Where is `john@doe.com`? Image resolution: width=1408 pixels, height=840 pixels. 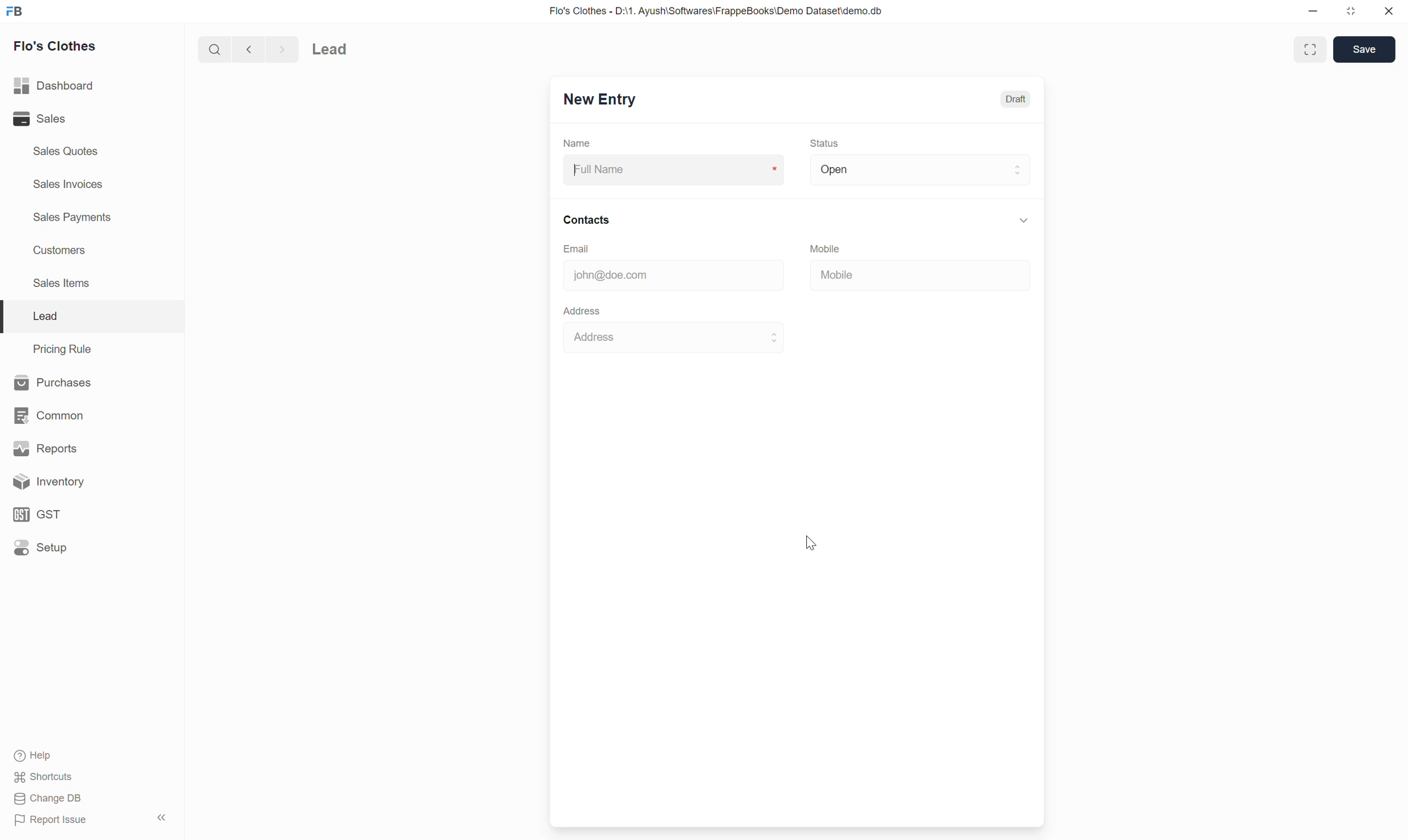 john@doe.com is located at coordinates (665, 278).